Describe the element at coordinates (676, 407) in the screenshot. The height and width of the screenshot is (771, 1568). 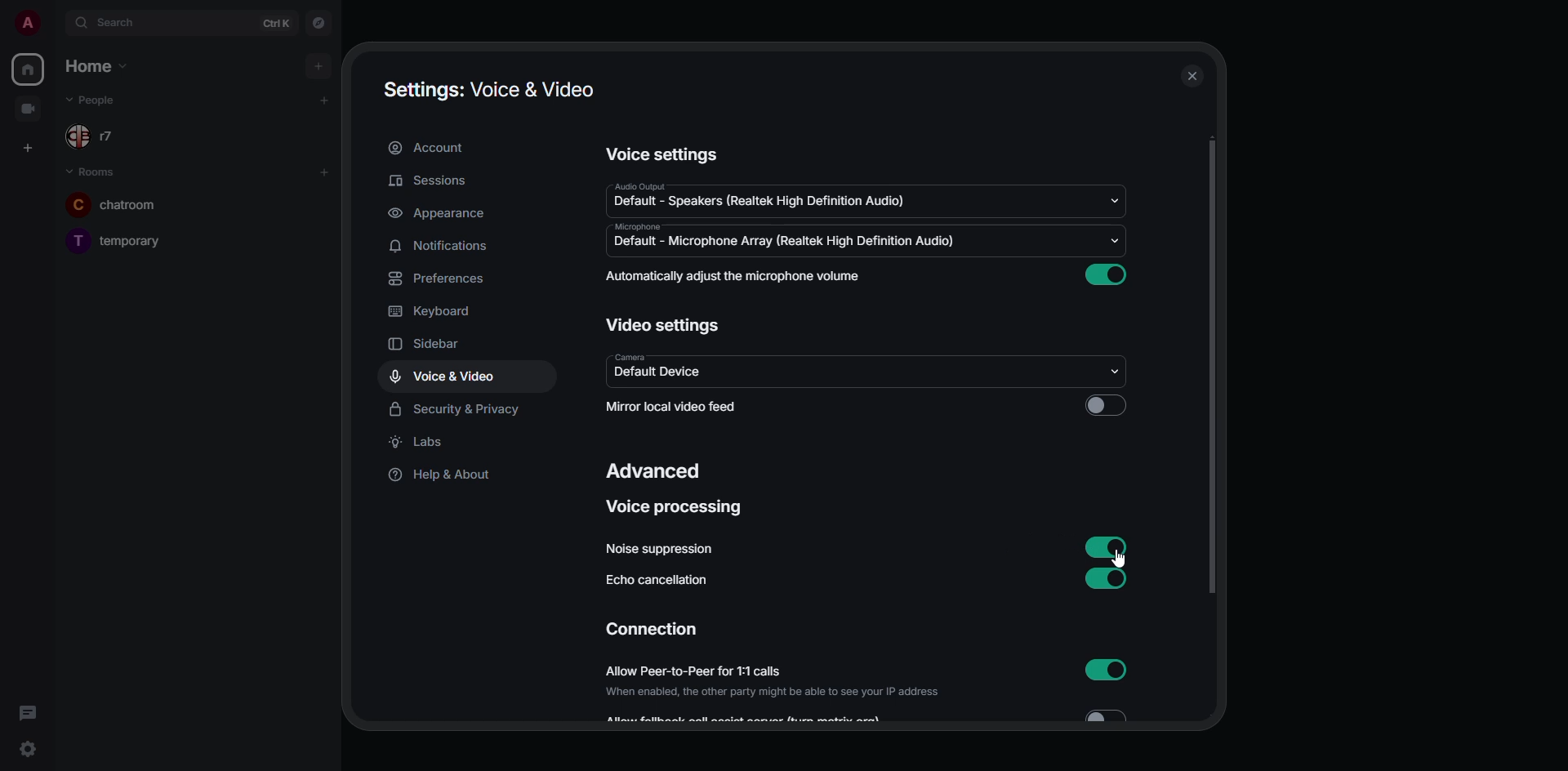
I see `mirror local video feed` at that location.